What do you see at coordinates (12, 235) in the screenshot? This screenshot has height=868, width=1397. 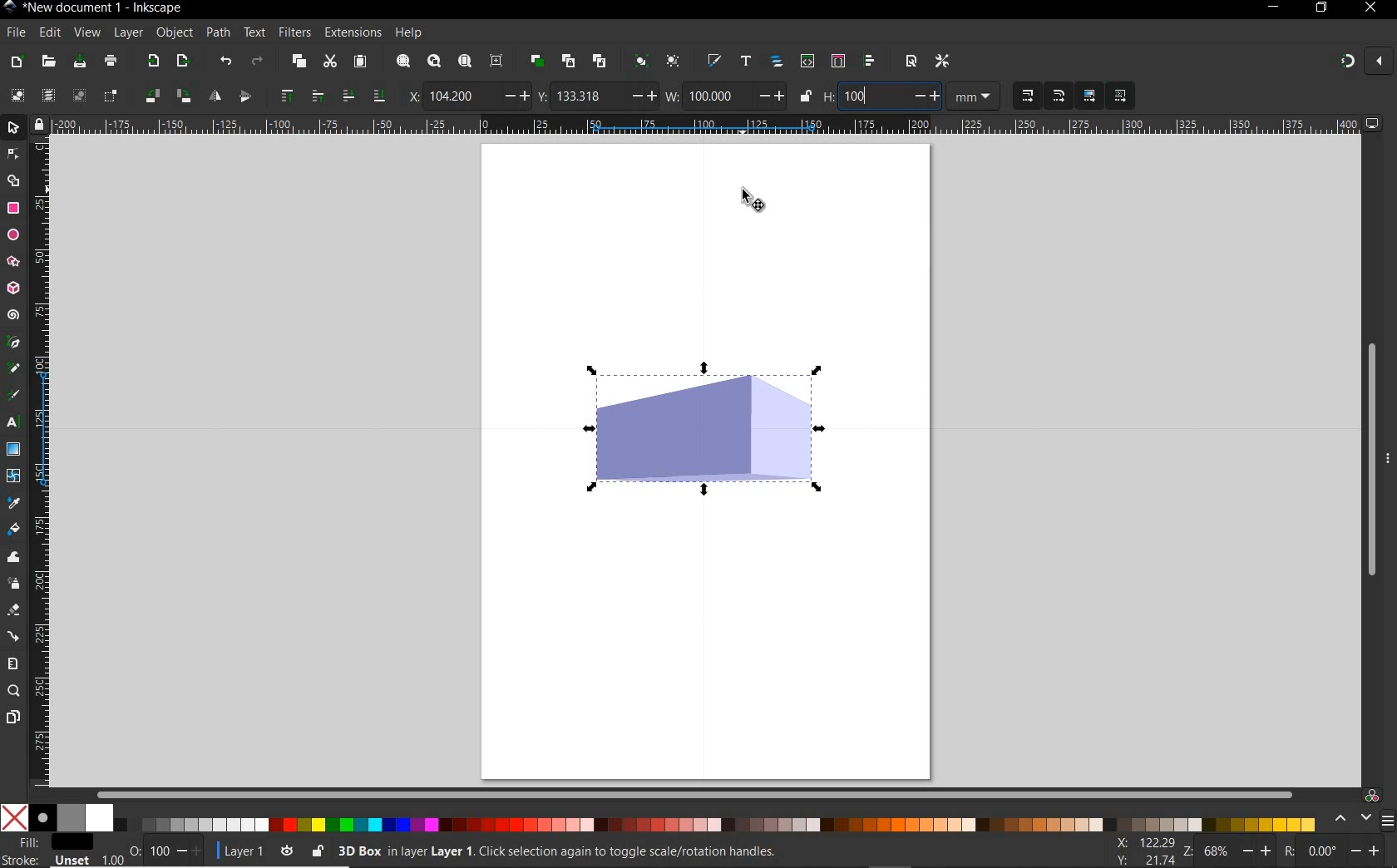 I see `ellipse tool` at bounding box center [12, 235].